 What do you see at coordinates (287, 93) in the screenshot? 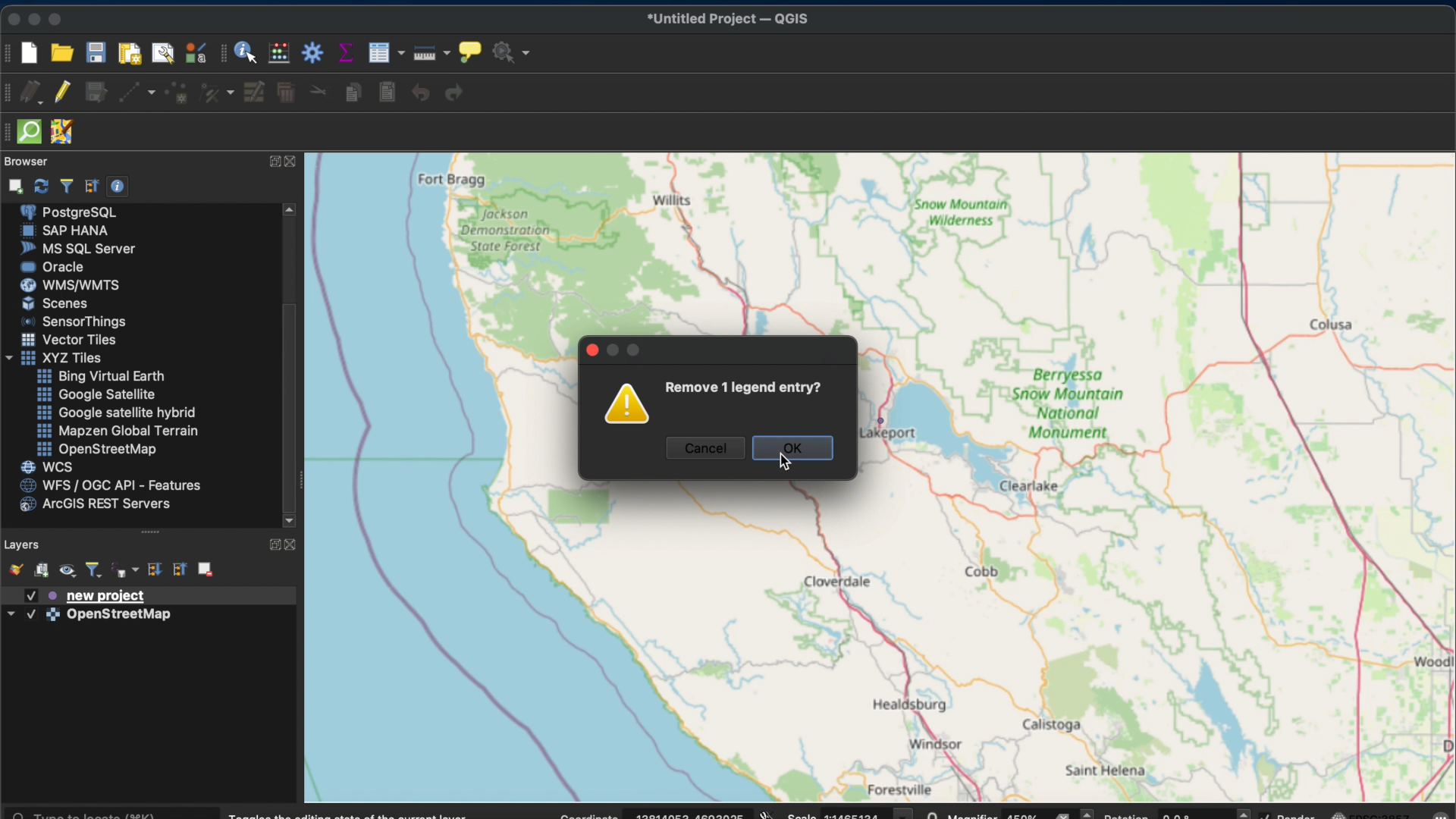
I see `delete selected` at bounding box center [287, 93].